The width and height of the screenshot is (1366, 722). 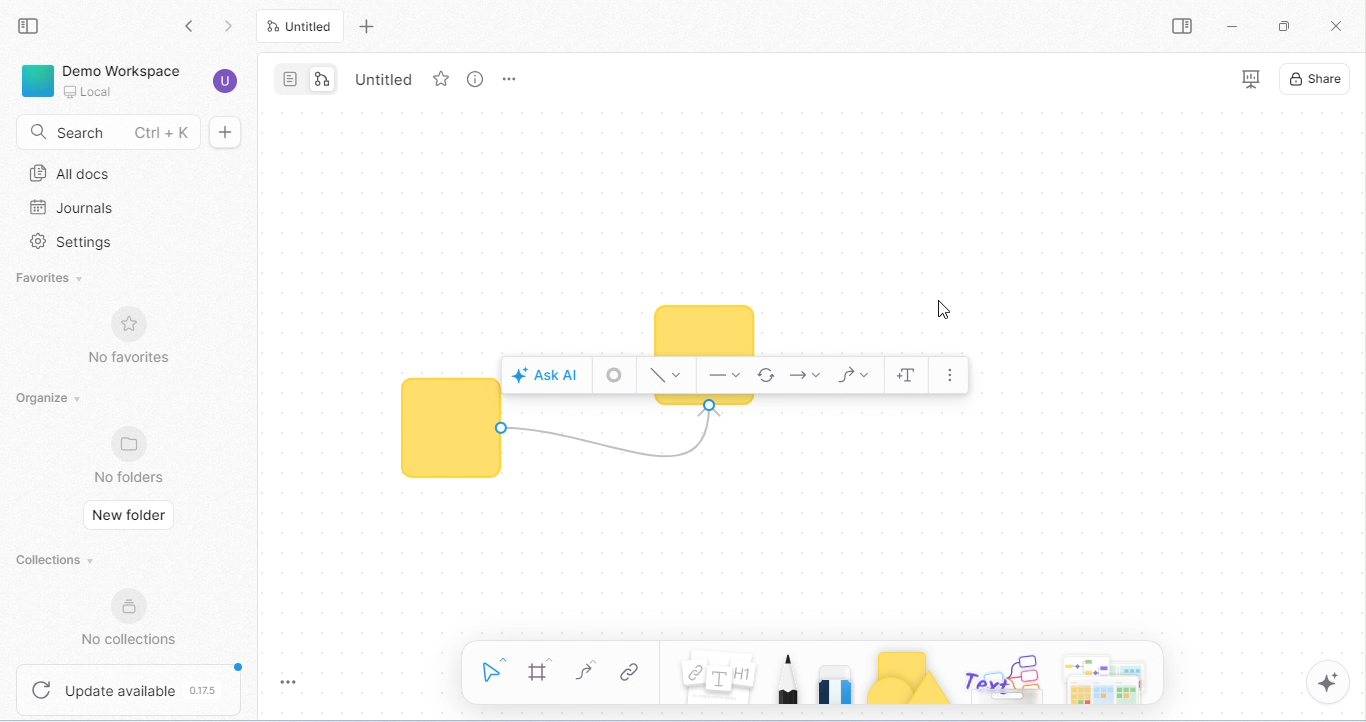 What do you see at coordinates (944, 309) in the screenshot?
I see `cursor movement` at bounding box center [944, 309].